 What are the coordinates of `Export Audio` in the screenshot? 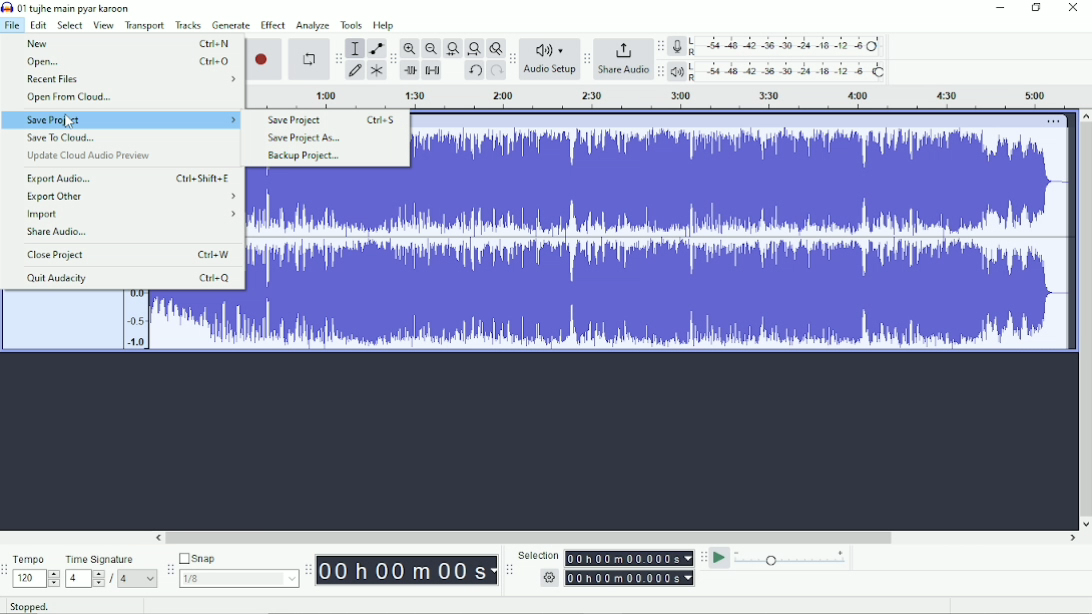 It's located at (131, 178).